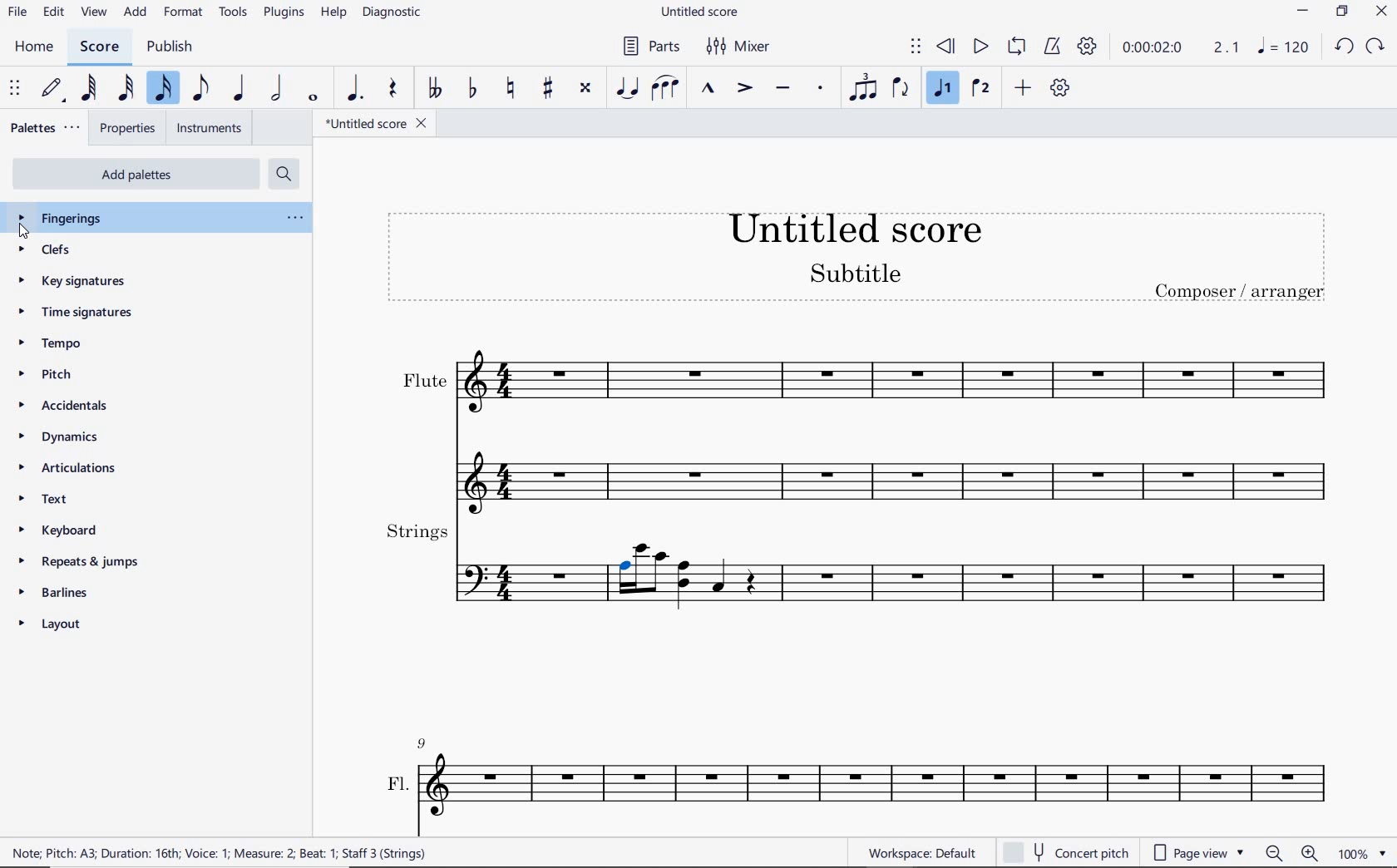 Image resolution: width=1397 pixels, height=868 pixels. Describe the element at coordinates (627, 570) in the screenshot. I see `note highlighted` at that location.